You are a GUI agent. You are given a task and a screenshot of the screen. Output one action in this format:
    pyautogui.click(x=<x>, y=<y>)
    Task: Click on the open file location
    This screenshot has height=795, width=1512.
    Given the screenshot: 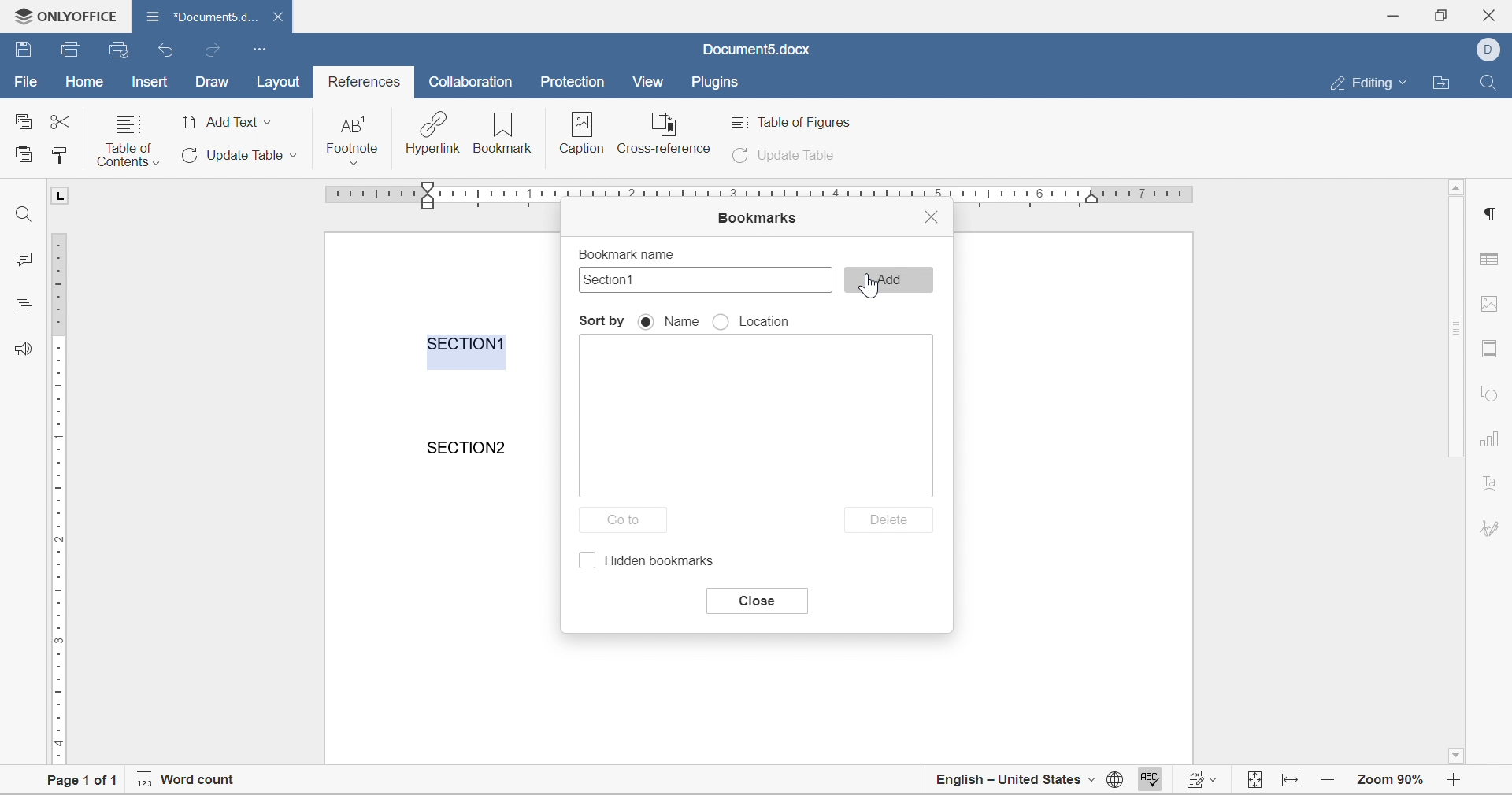 What is the action you would take?
    pyautogui.click(x=1444, y=83)
    